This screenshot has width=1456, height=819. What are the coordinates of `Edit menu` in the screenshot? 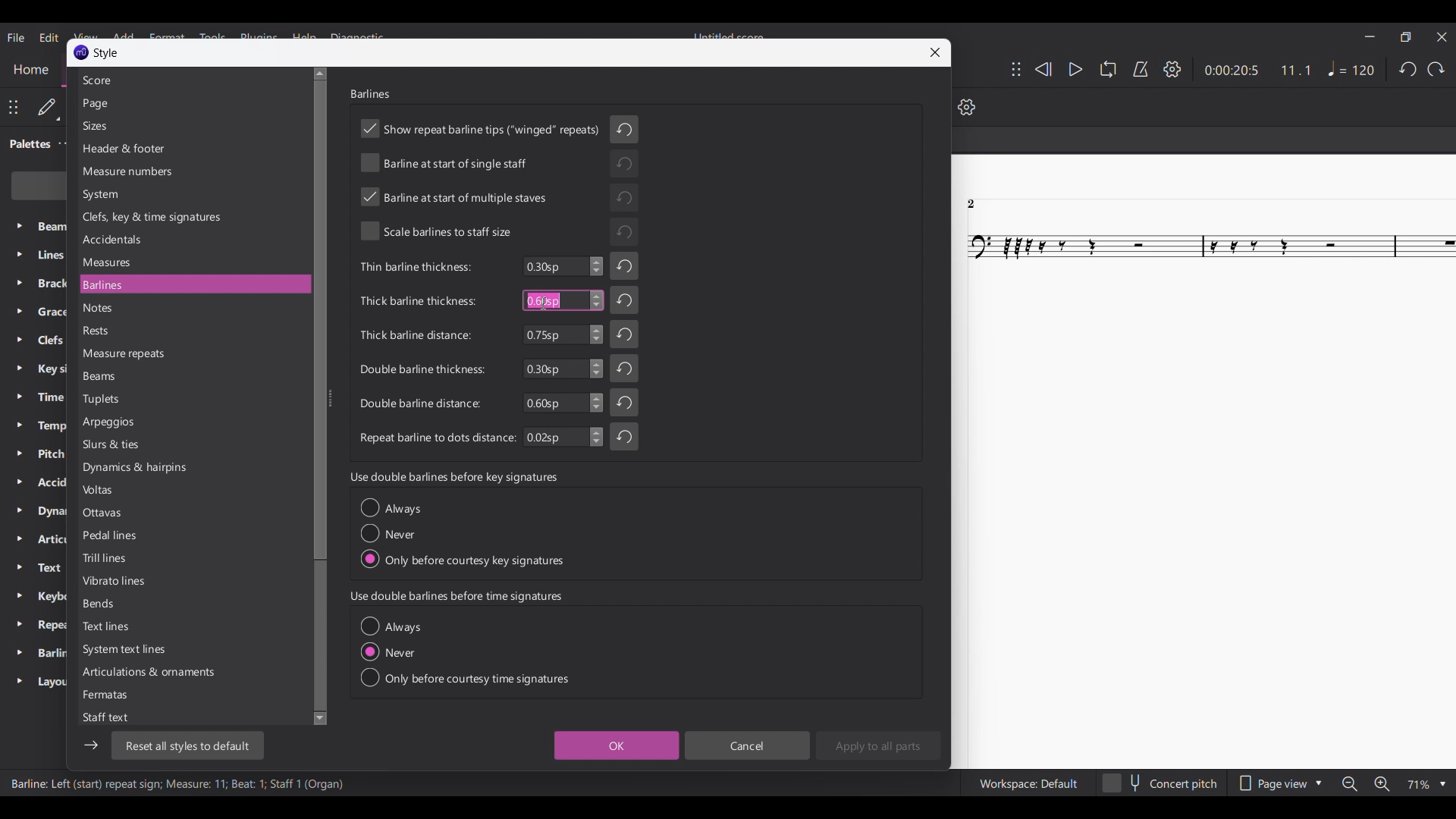 It's located at (50, 38).